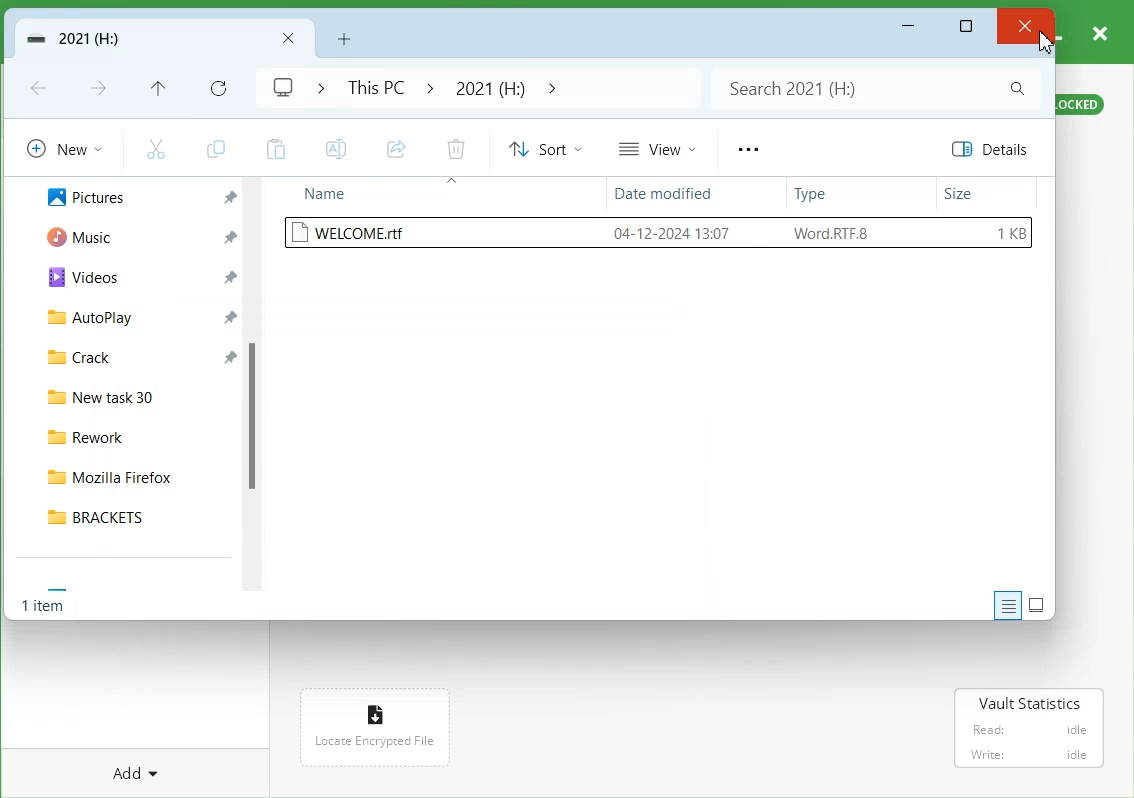  What do you see at coordinates (995, 149) in the screenshot?
I see `Details` at bounding box center [995, 149].